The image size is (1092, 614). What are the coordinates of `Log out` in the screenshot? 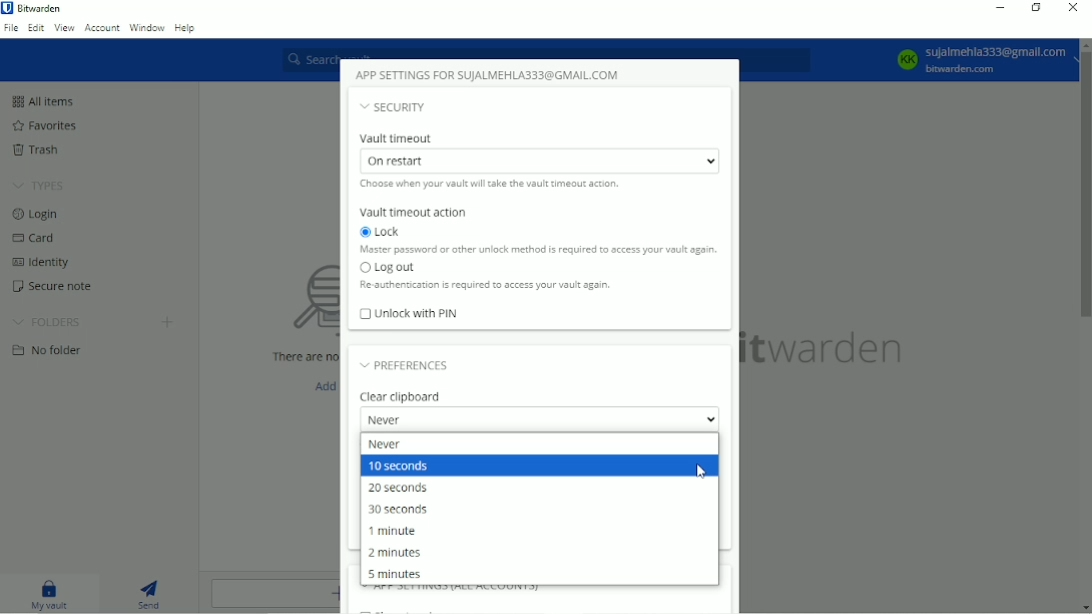 It's located at (486, 276).